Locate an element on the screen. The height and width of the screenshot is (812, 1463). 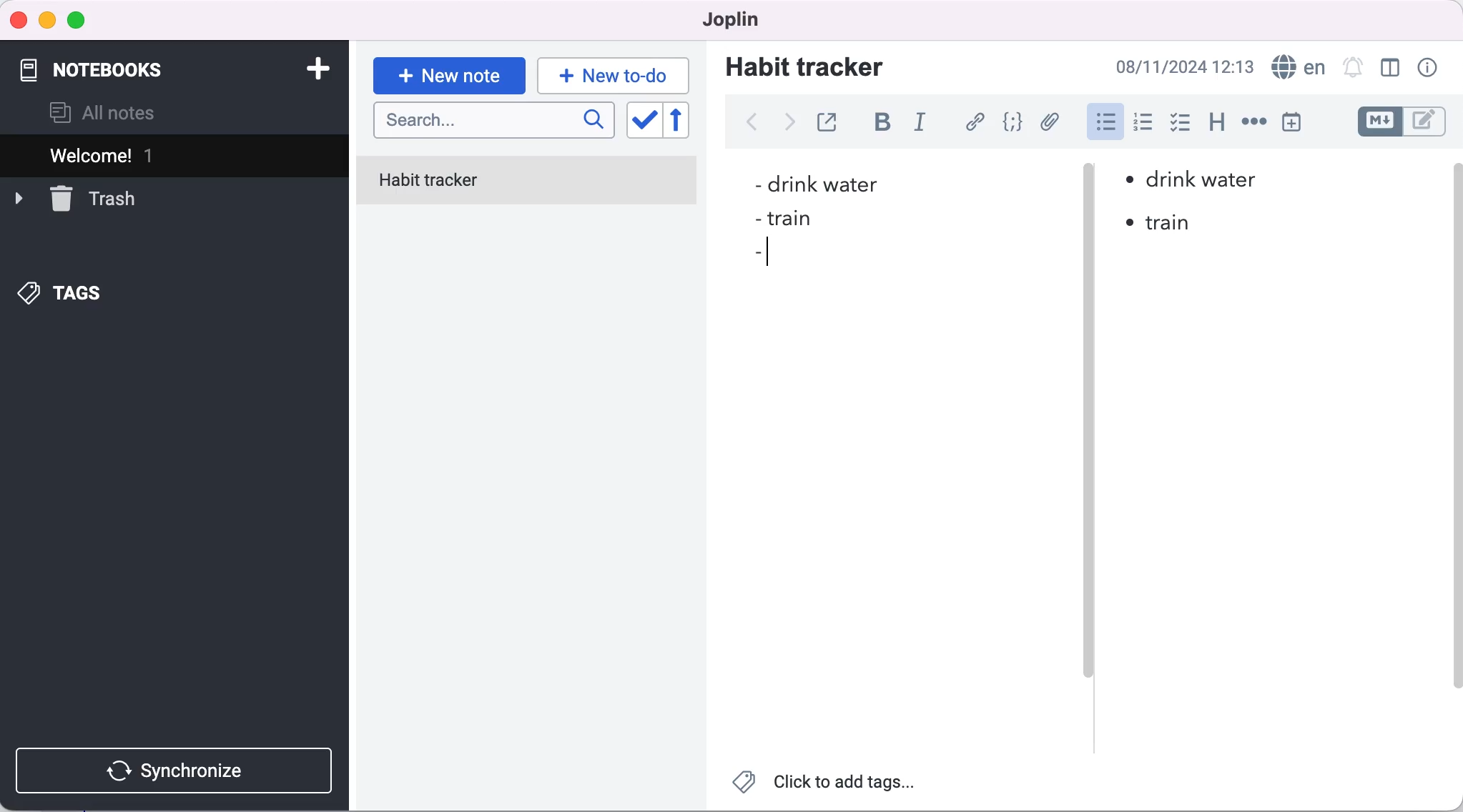
scroll bar is located at coordinates (1454, 442).